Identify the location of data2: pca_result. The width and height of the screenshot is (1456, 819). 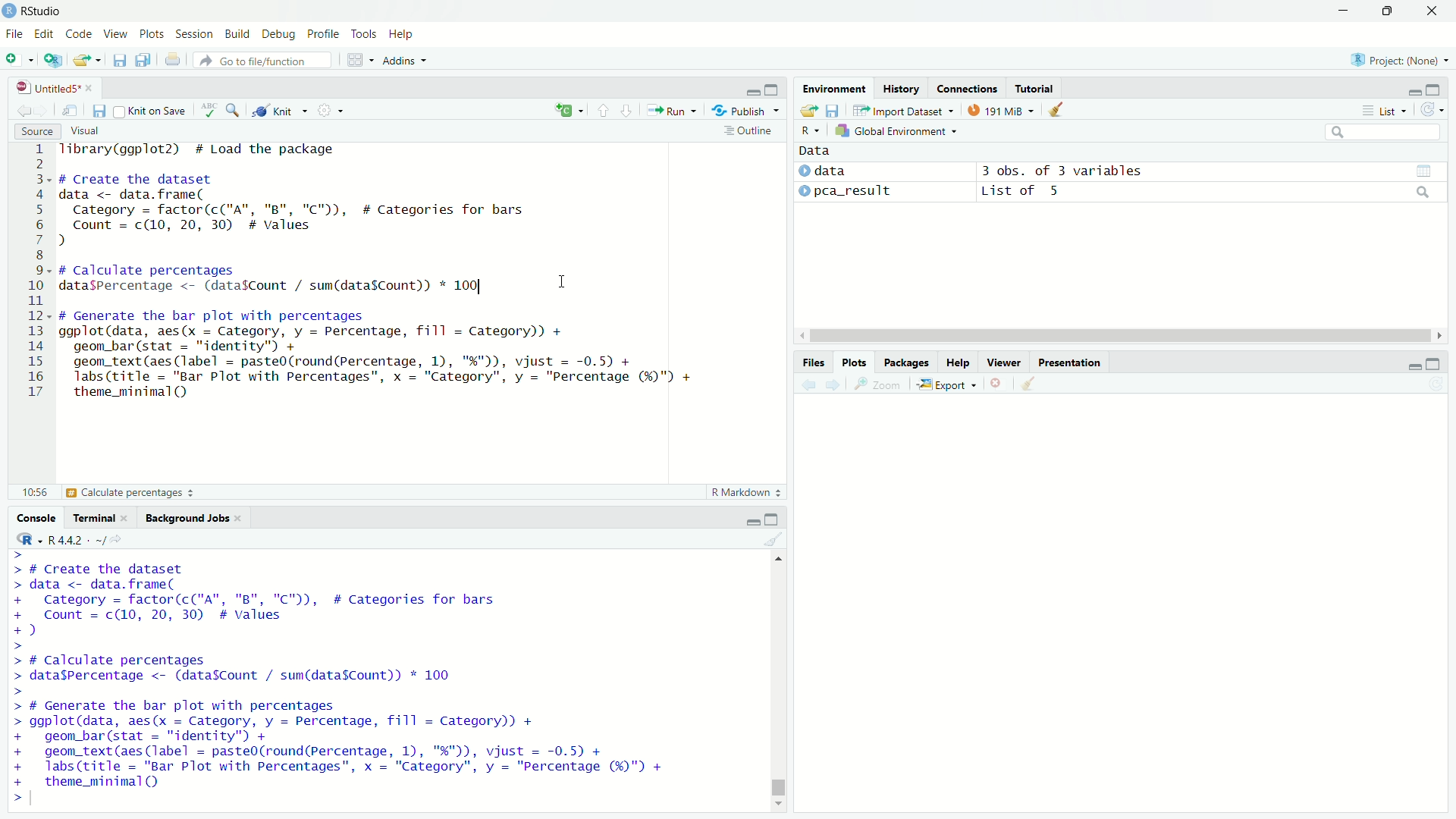
(858, 192).